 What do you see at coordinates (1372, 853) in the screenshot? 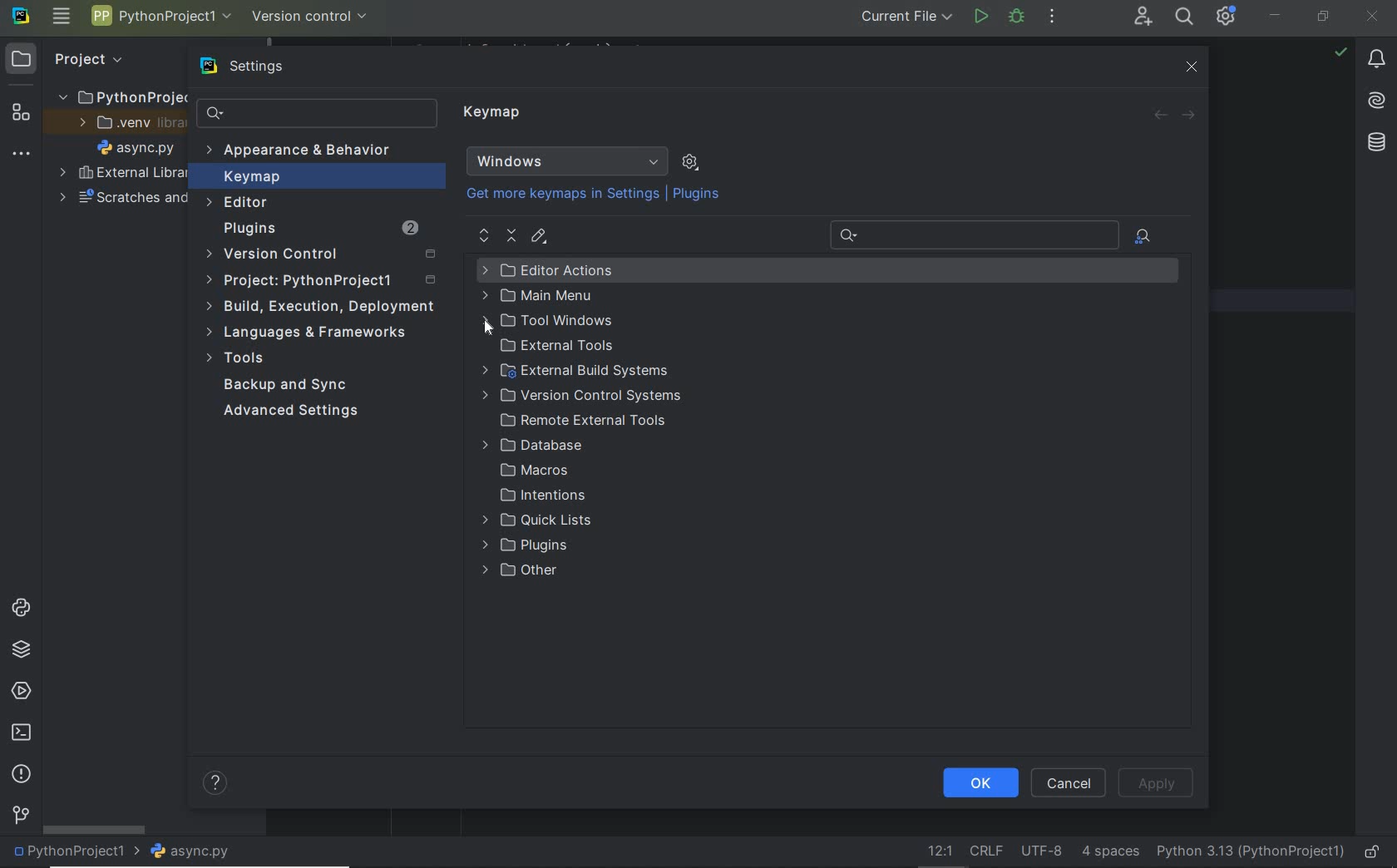
I see `make file ready only` at bounding box center [1372, 853].